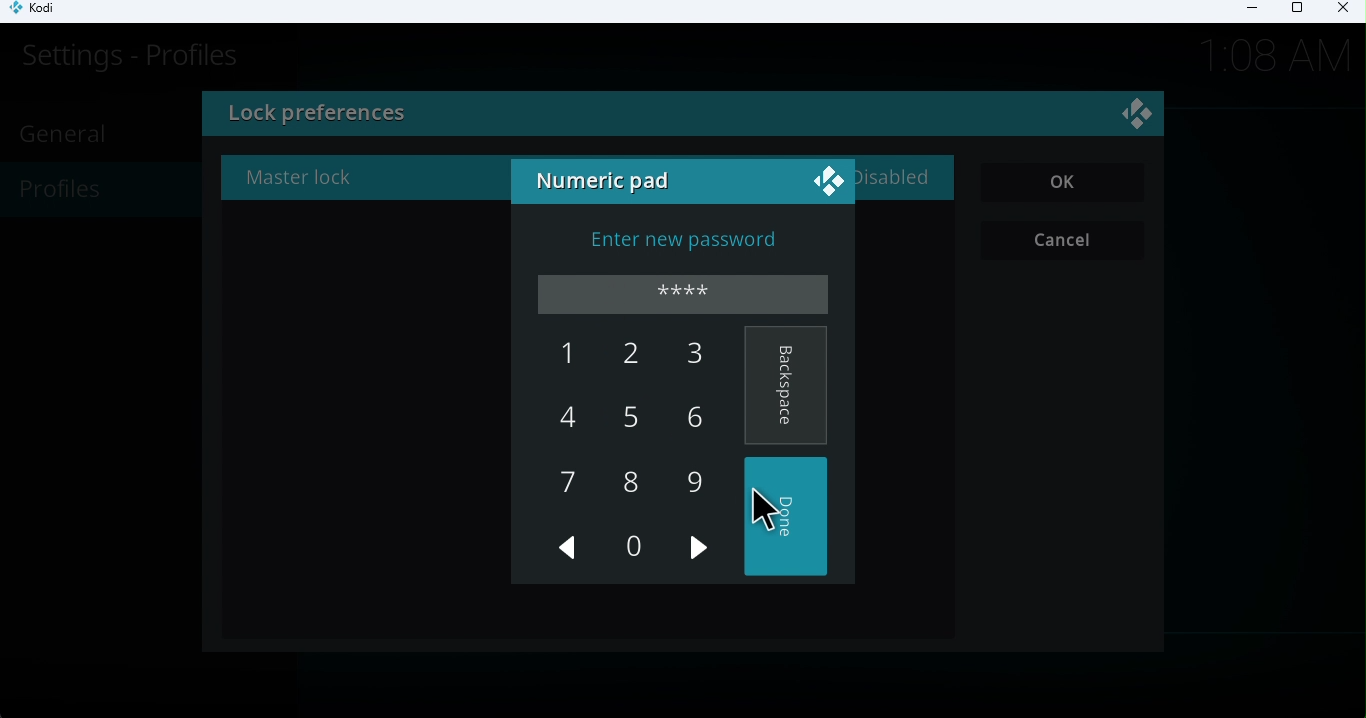 The height and width of the screenshot is (718, 1366). Describe the element at coordinates (305, 182) in the screenshot. I see `Master lock` at that location.